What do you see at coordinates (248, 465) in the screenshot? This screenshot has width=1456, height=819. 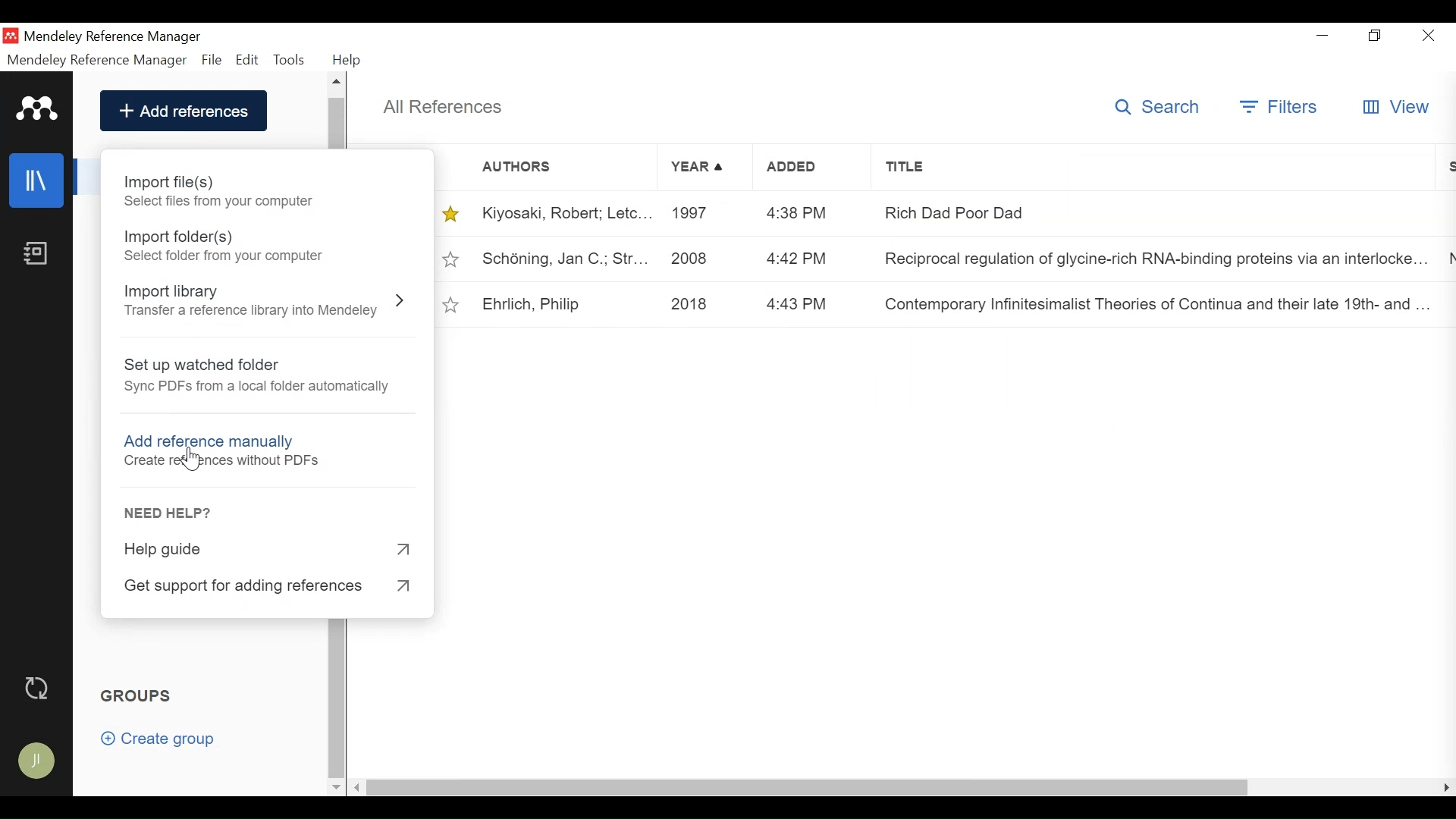 I see `create references without PDF` at bounding box center [248, 465].